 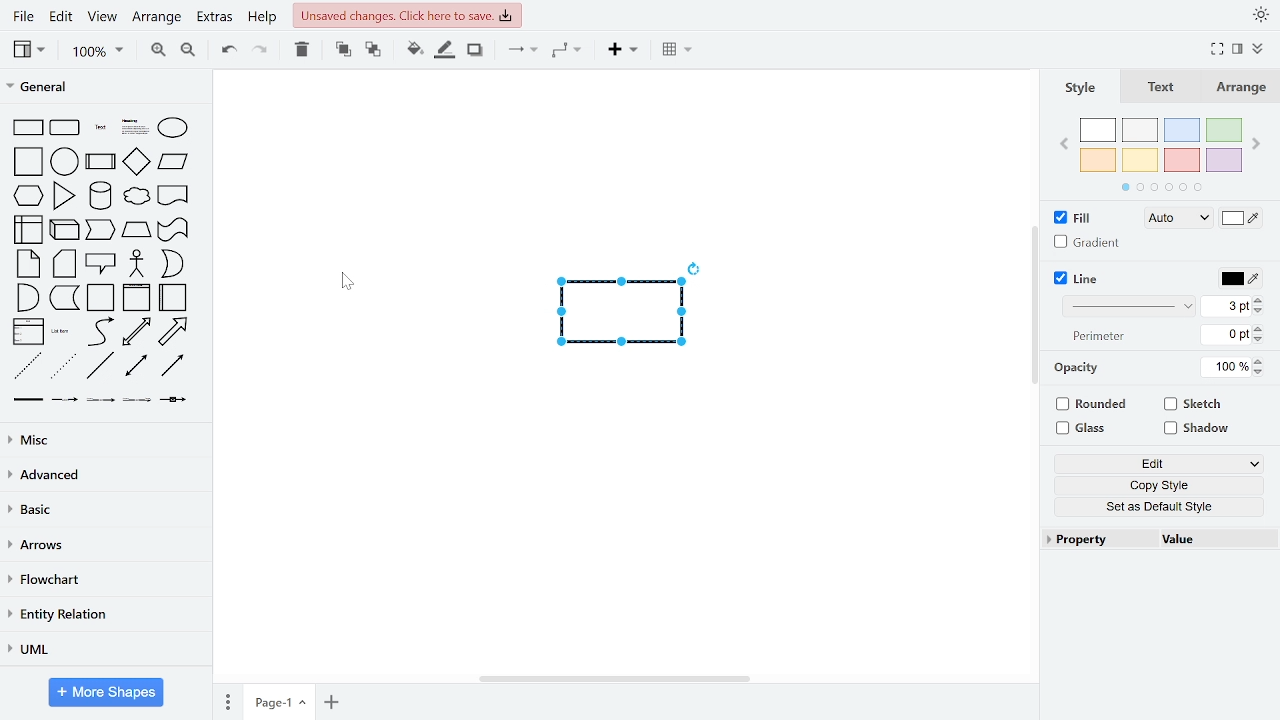 What do you see at coordinates (1074, 218) in the screenshot?
I see `fill` at bounding box center [1074, 218].